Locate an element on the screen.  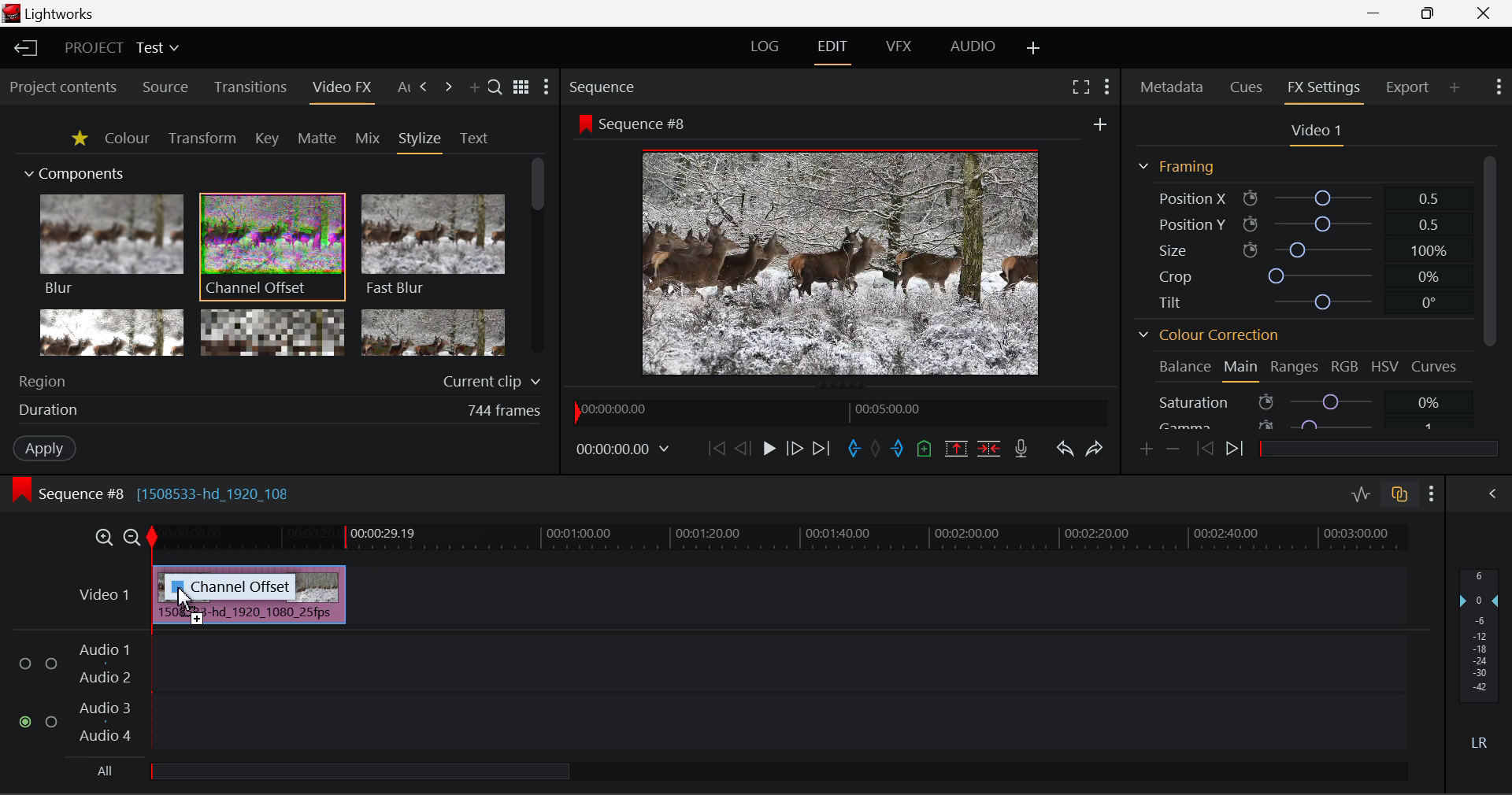
Mark Out is located at coordinates (896, 449).